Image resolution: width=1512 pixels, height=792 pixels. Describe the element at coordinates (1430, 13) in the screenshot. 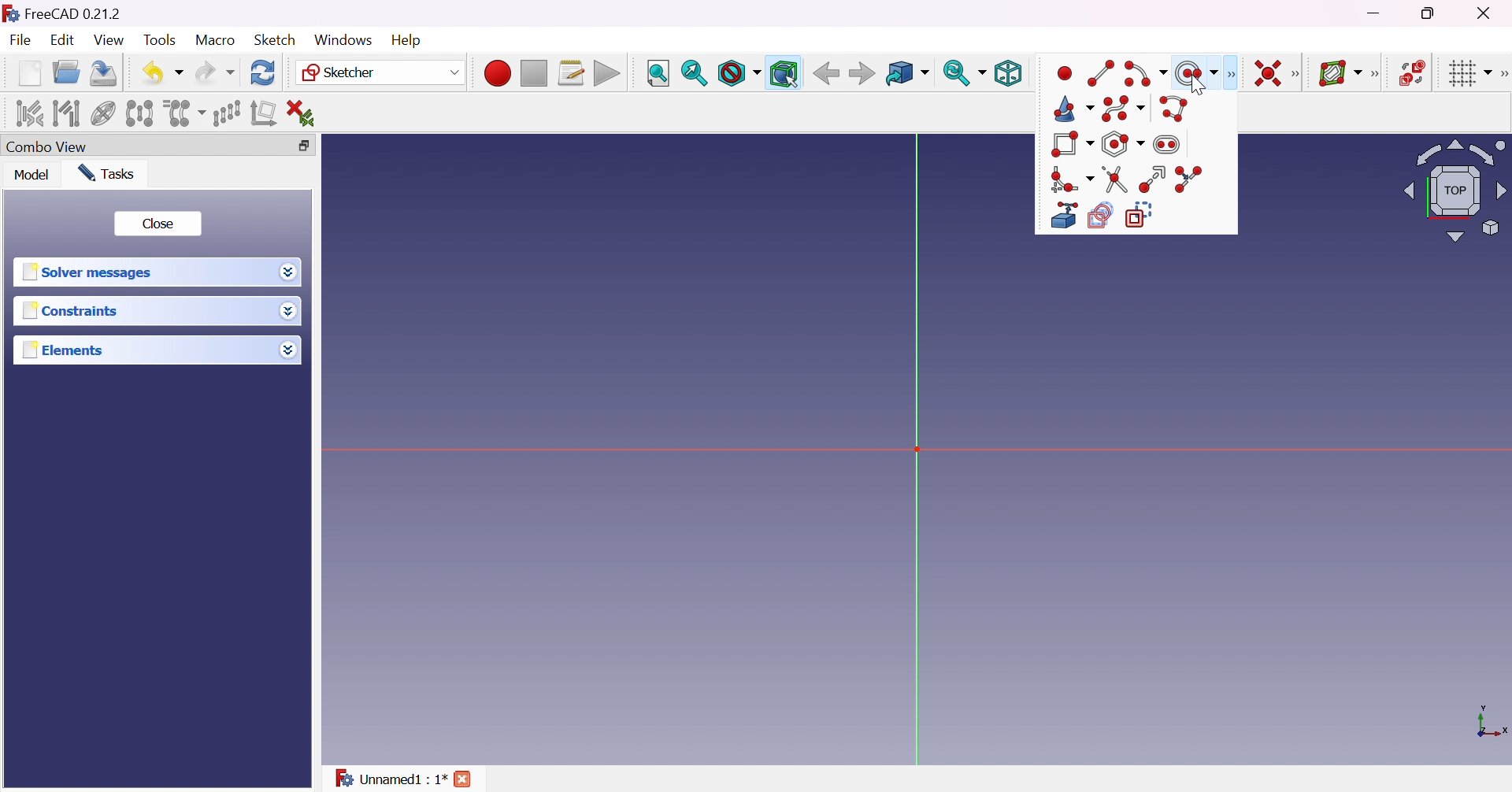

I see `Restore down` at that location.